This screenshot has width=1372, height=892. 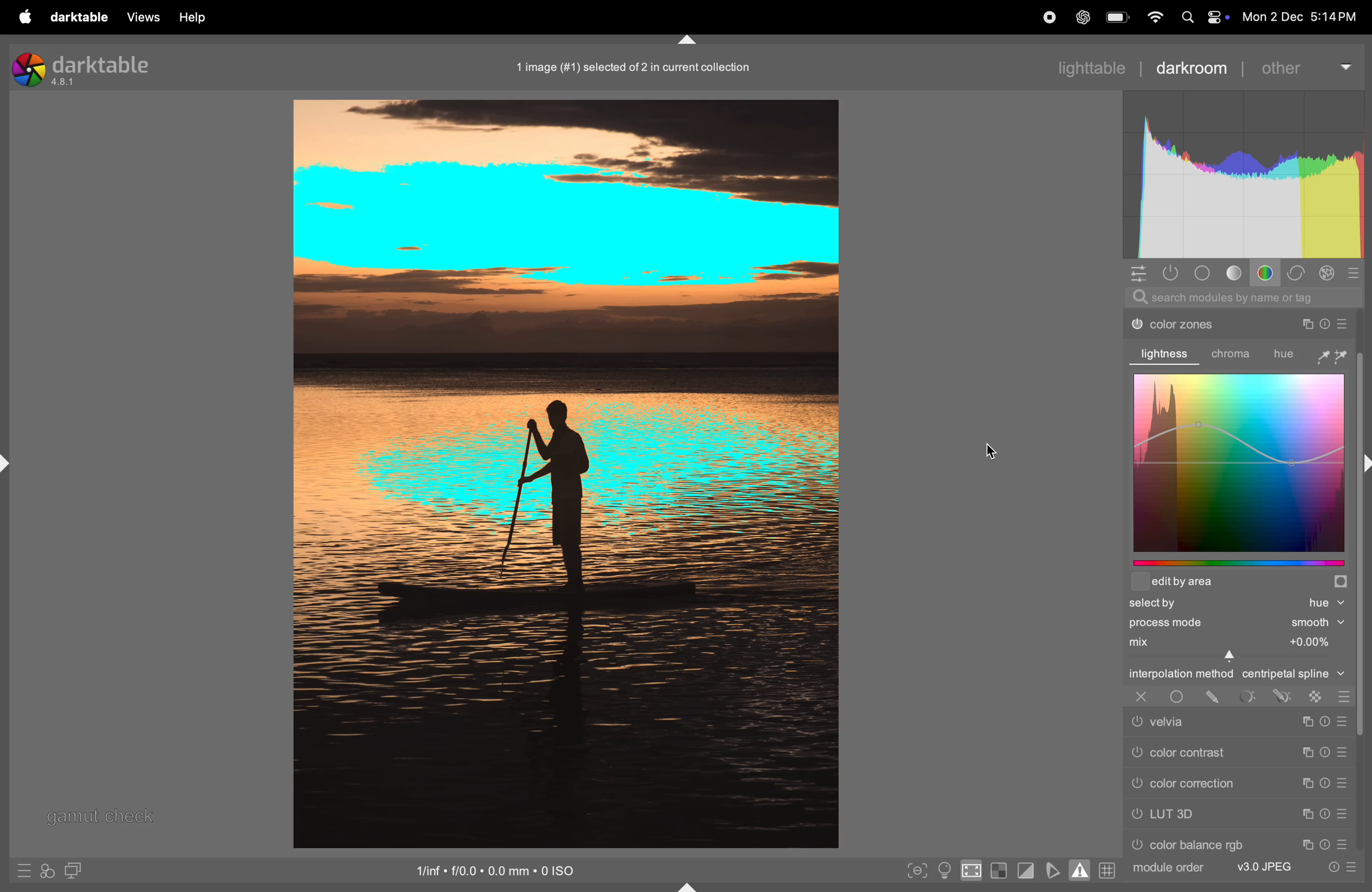 I want to click on toggle gaamut checking, so click(x=1078, y=869).